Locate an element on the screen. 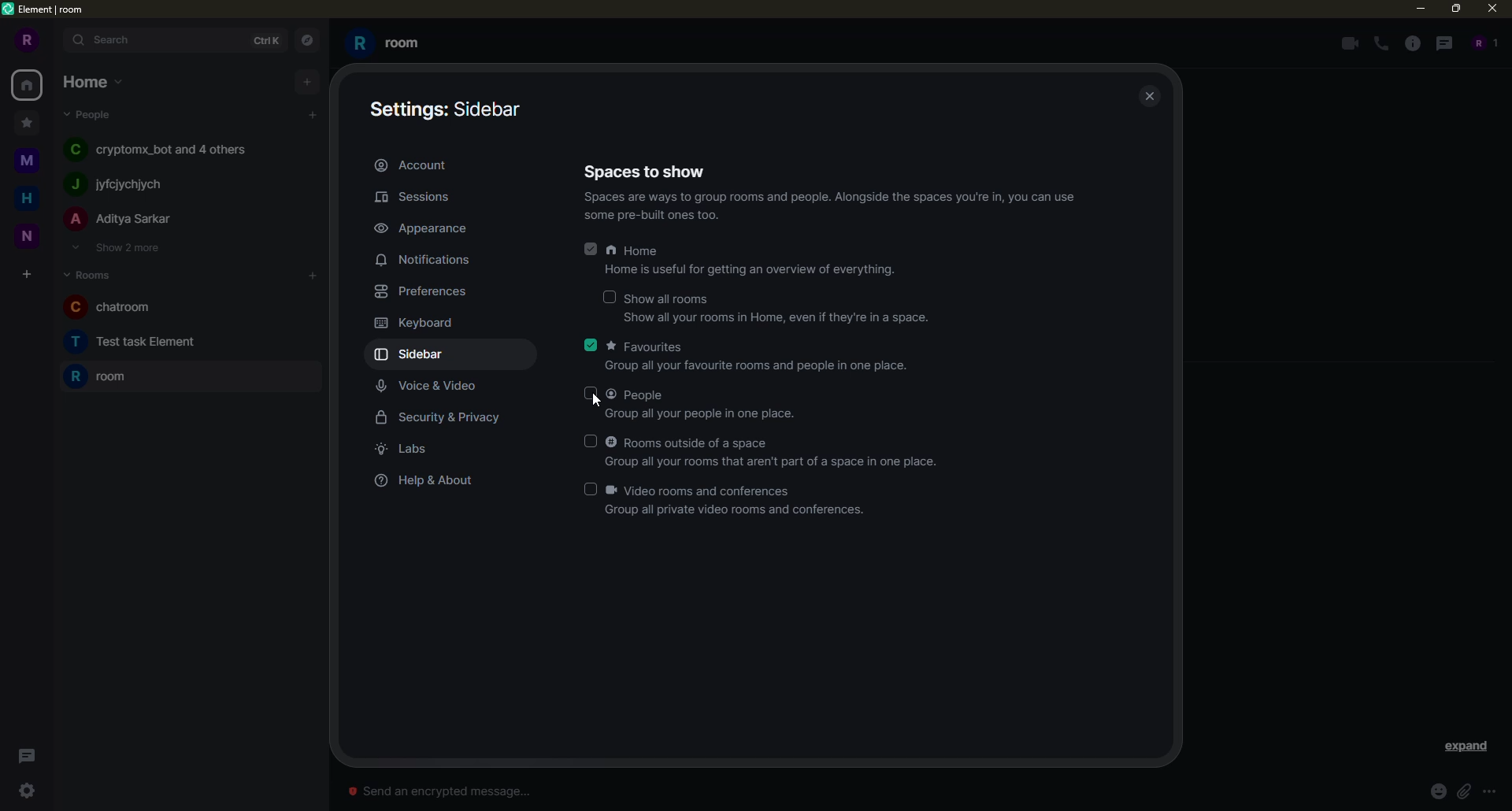 The height and width of the screenshot is (811, 1512). close is located at coordinates (1154, 97).